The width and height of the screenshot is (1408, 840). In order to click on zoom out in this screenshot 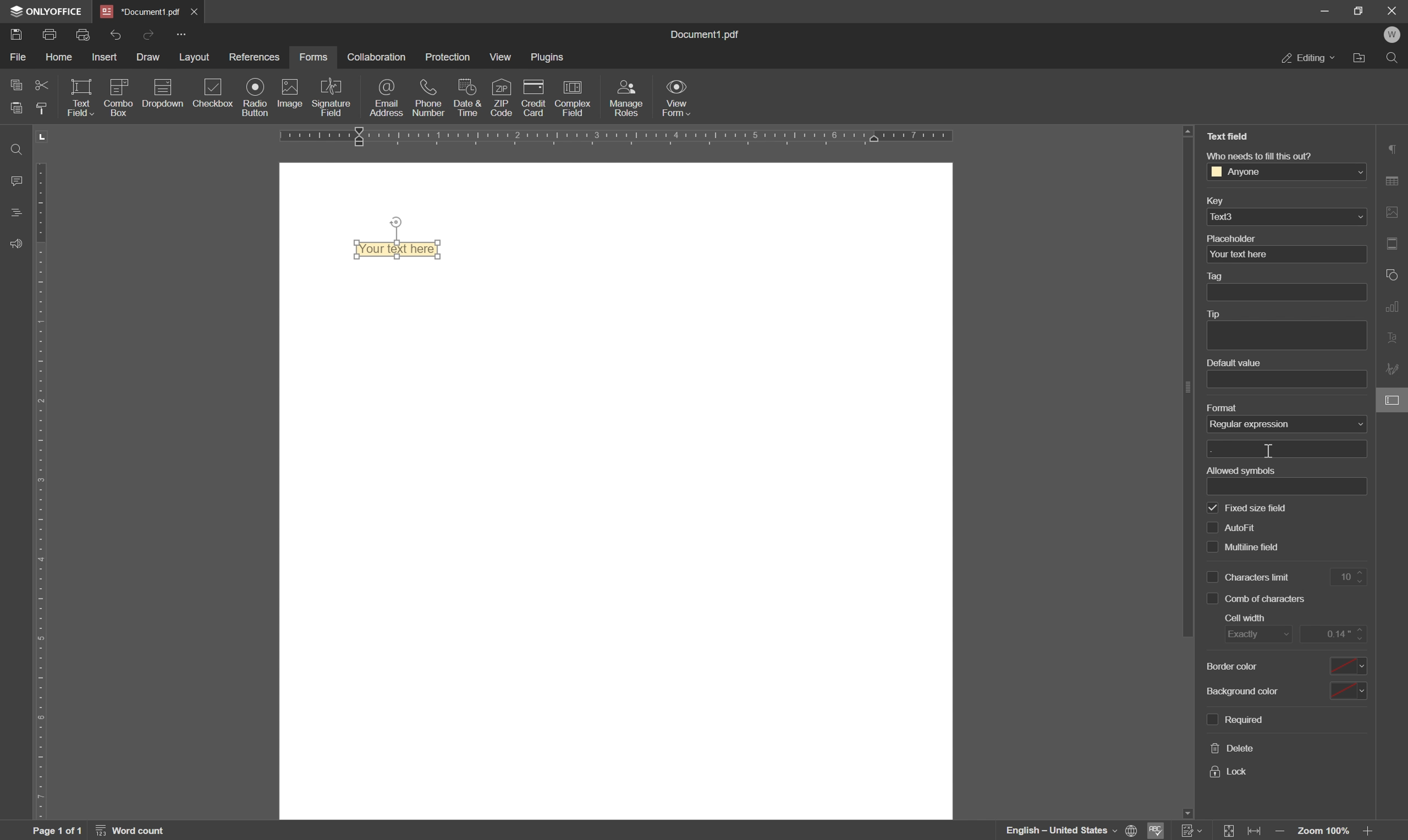, I will do `click(1281, 832)`.